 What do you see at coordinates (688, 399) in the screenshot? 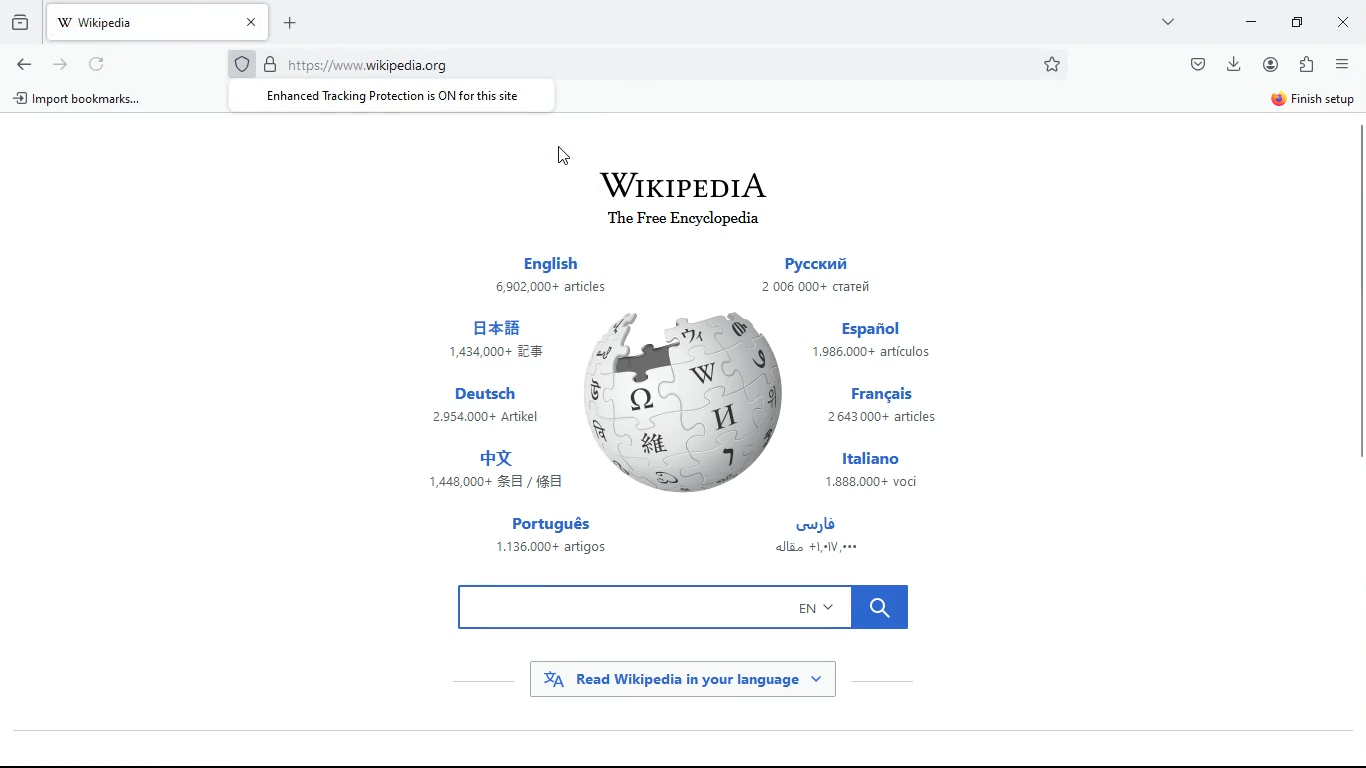
I see `wikipedia logo` at bounding box center [688, 399].